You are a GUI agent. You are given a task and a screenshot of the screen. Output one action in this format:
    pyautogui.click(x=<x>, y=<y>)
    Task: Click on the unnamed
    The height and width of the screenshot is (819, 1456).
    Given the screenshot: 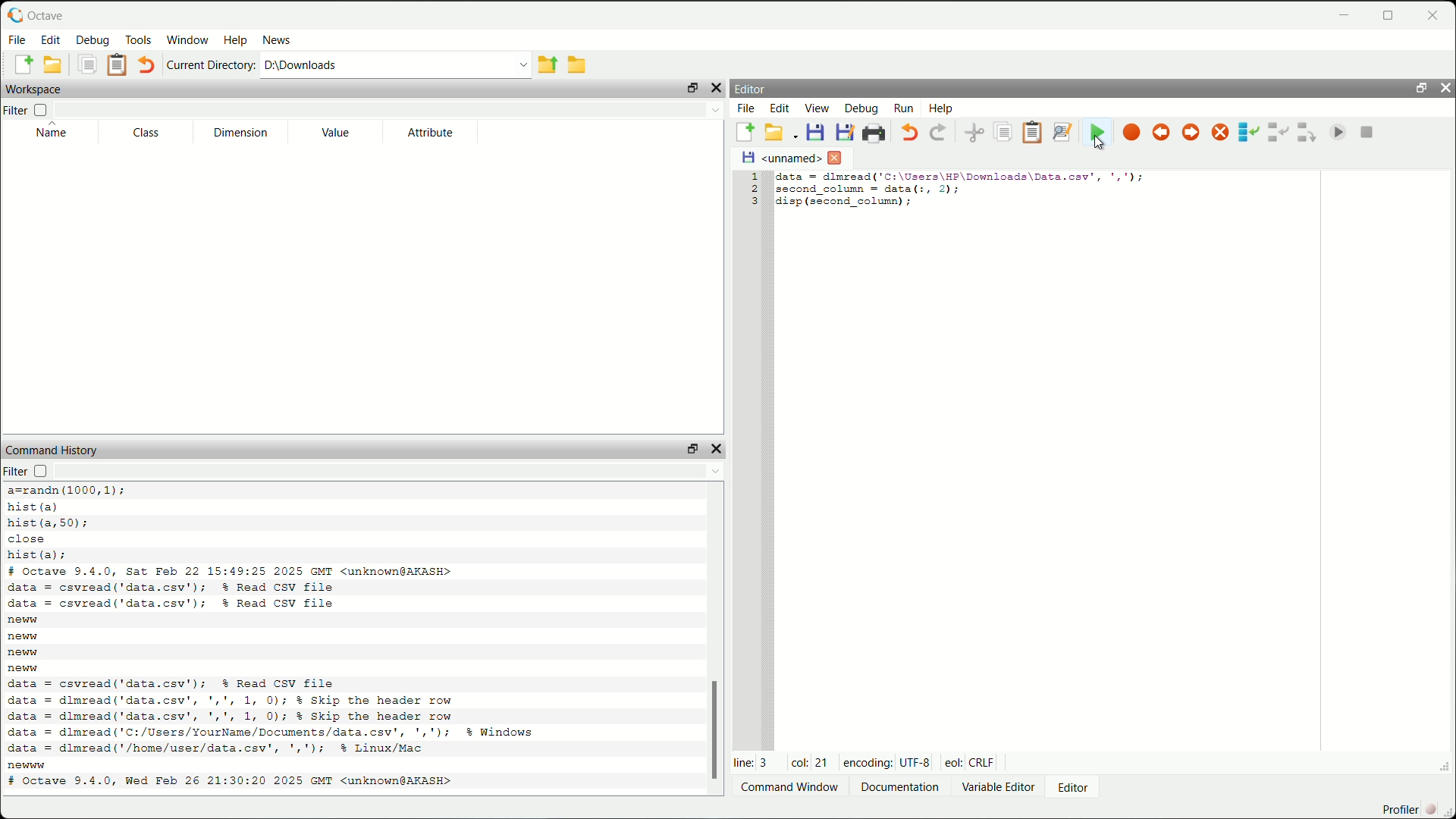 What is the action you would take?
    pyautogui.click(x=780, y=159)
    